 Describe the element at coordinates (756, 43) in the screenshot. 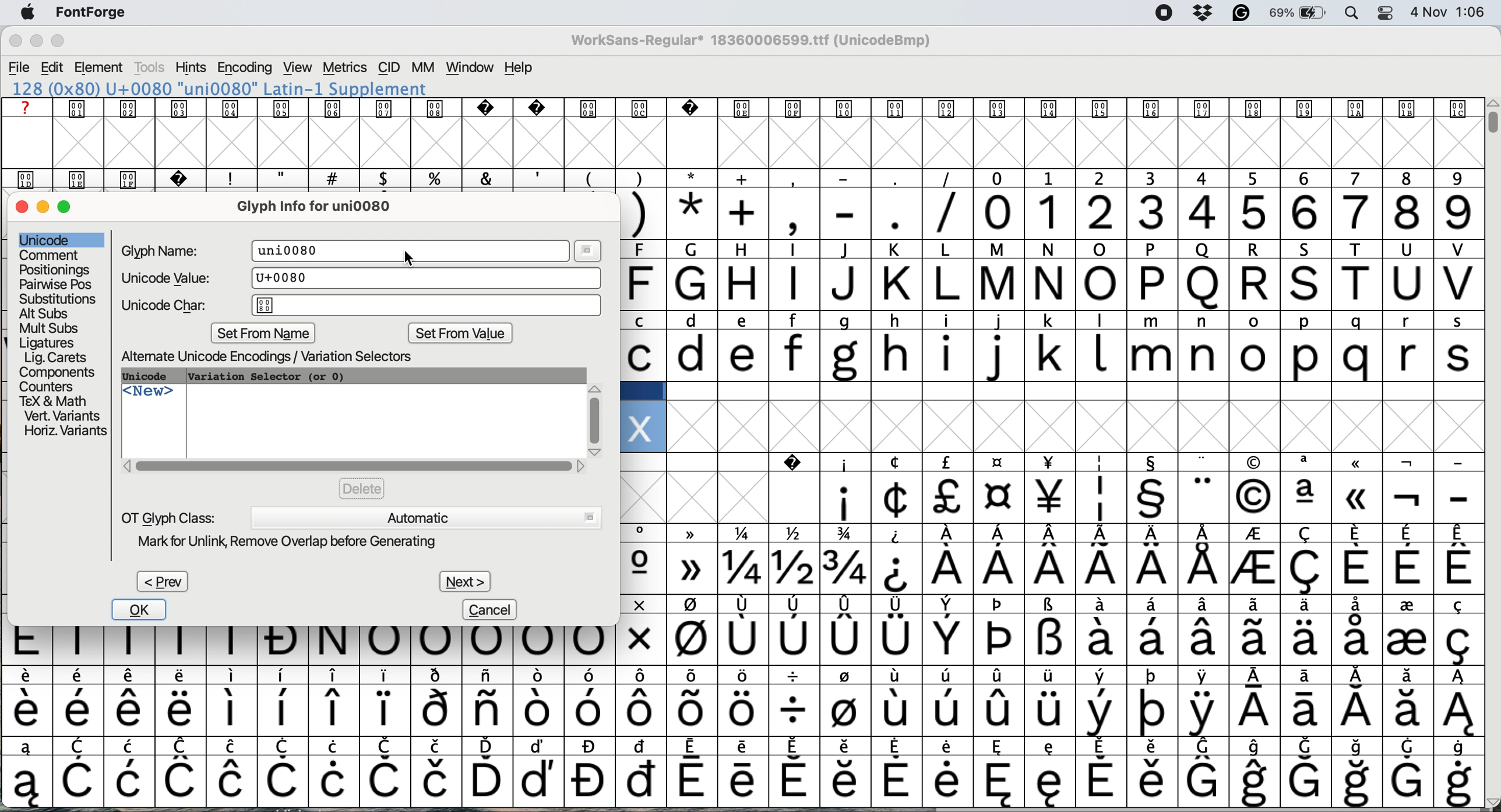

I see `WorkSans-Regular 18360006599.ttf (UnicodeBmp)` at that location.